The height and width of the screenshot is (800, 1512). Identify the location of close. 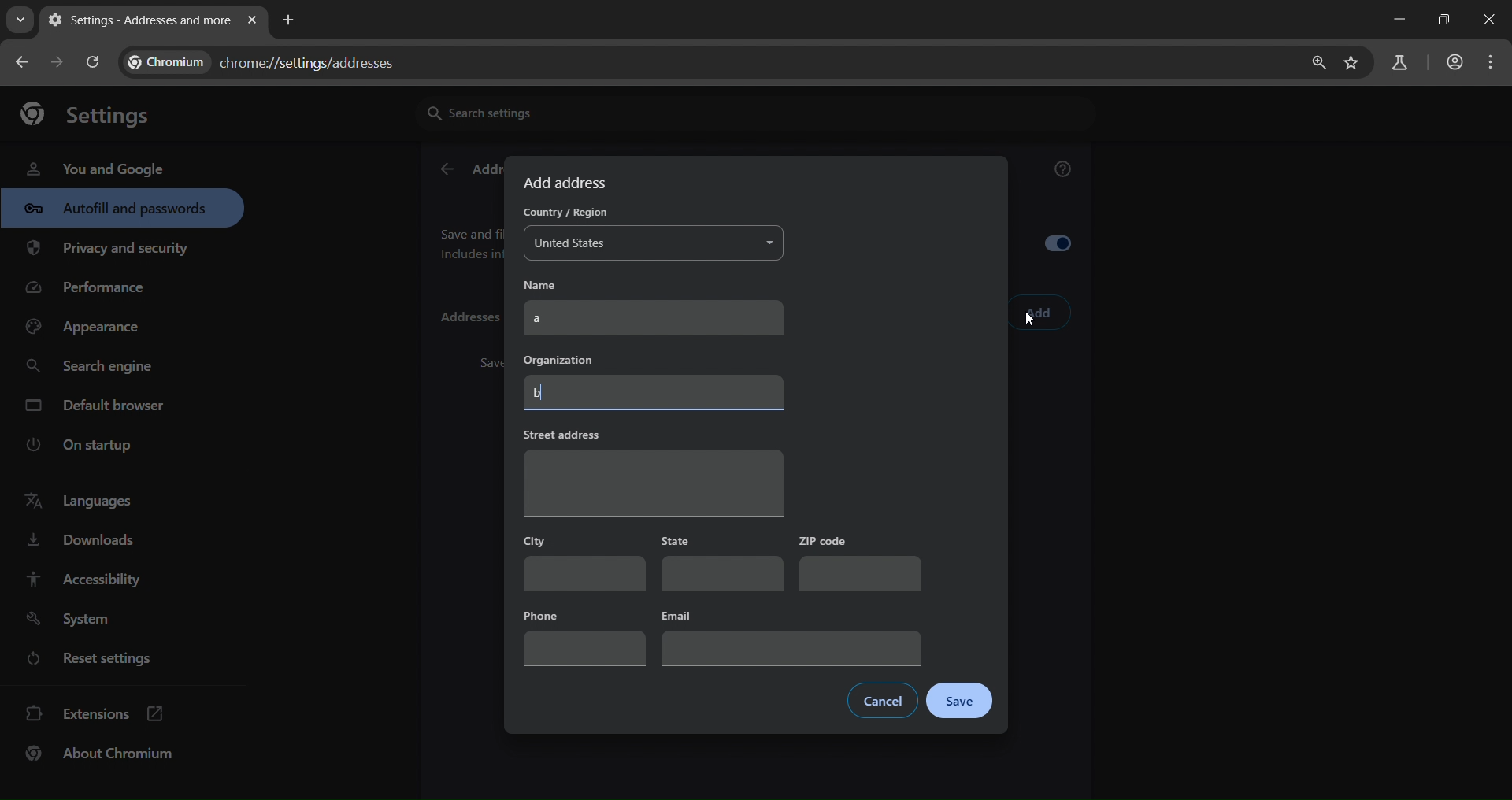
(1492, 21).